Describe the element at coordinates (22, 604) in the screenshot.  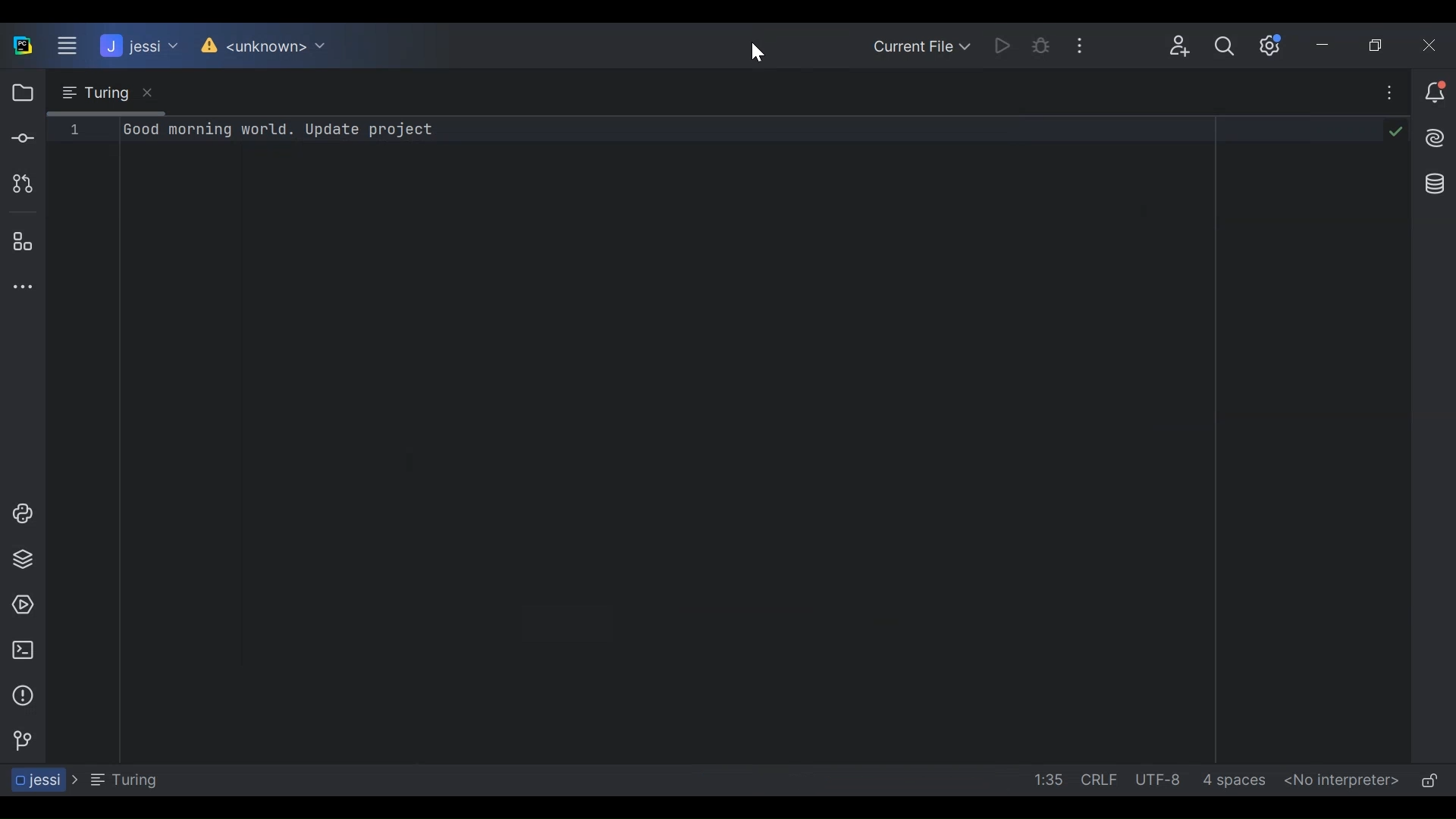
I see `Services` at that location.